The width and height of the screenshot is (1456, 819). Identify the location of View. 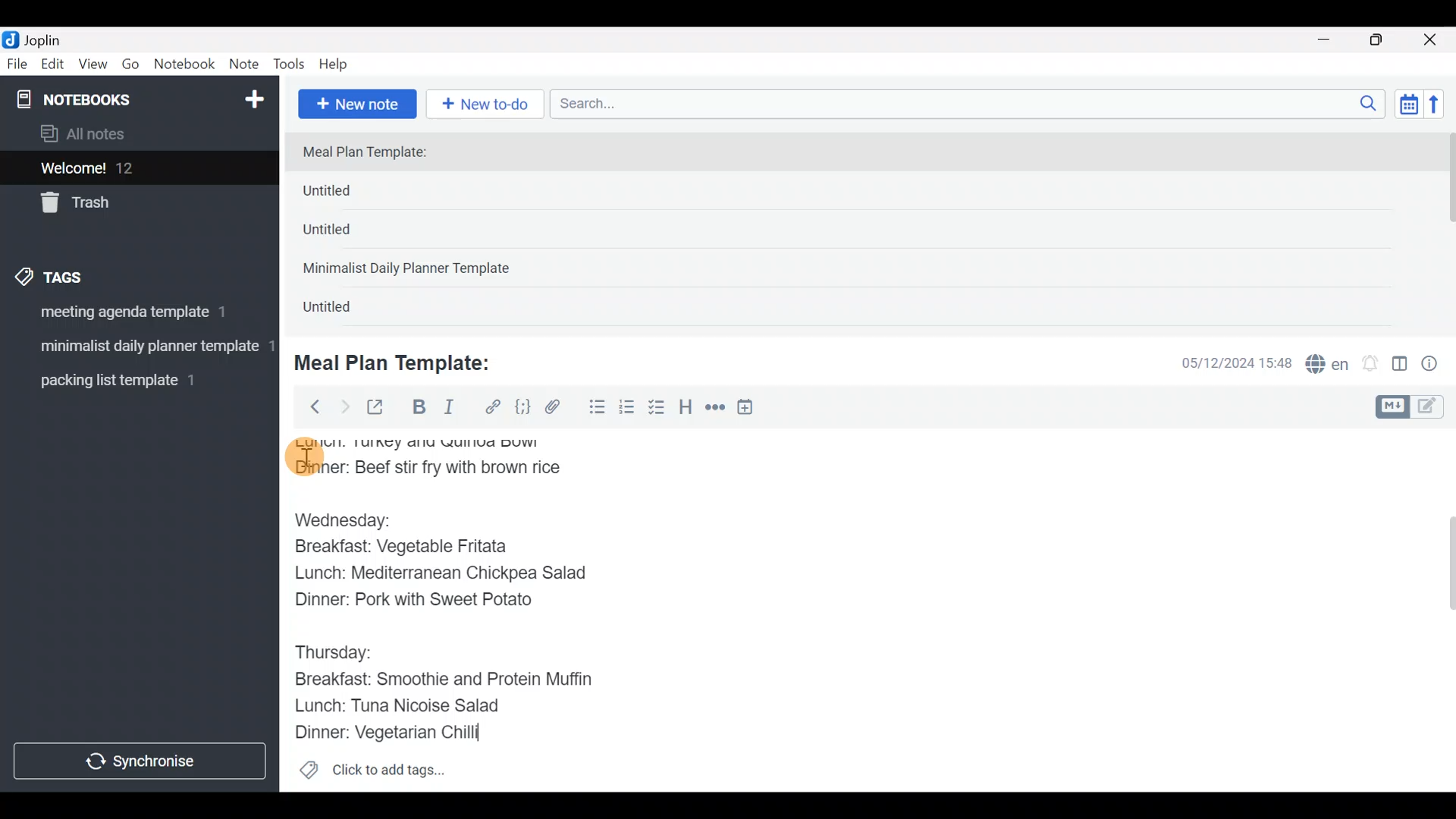
(93, 67).